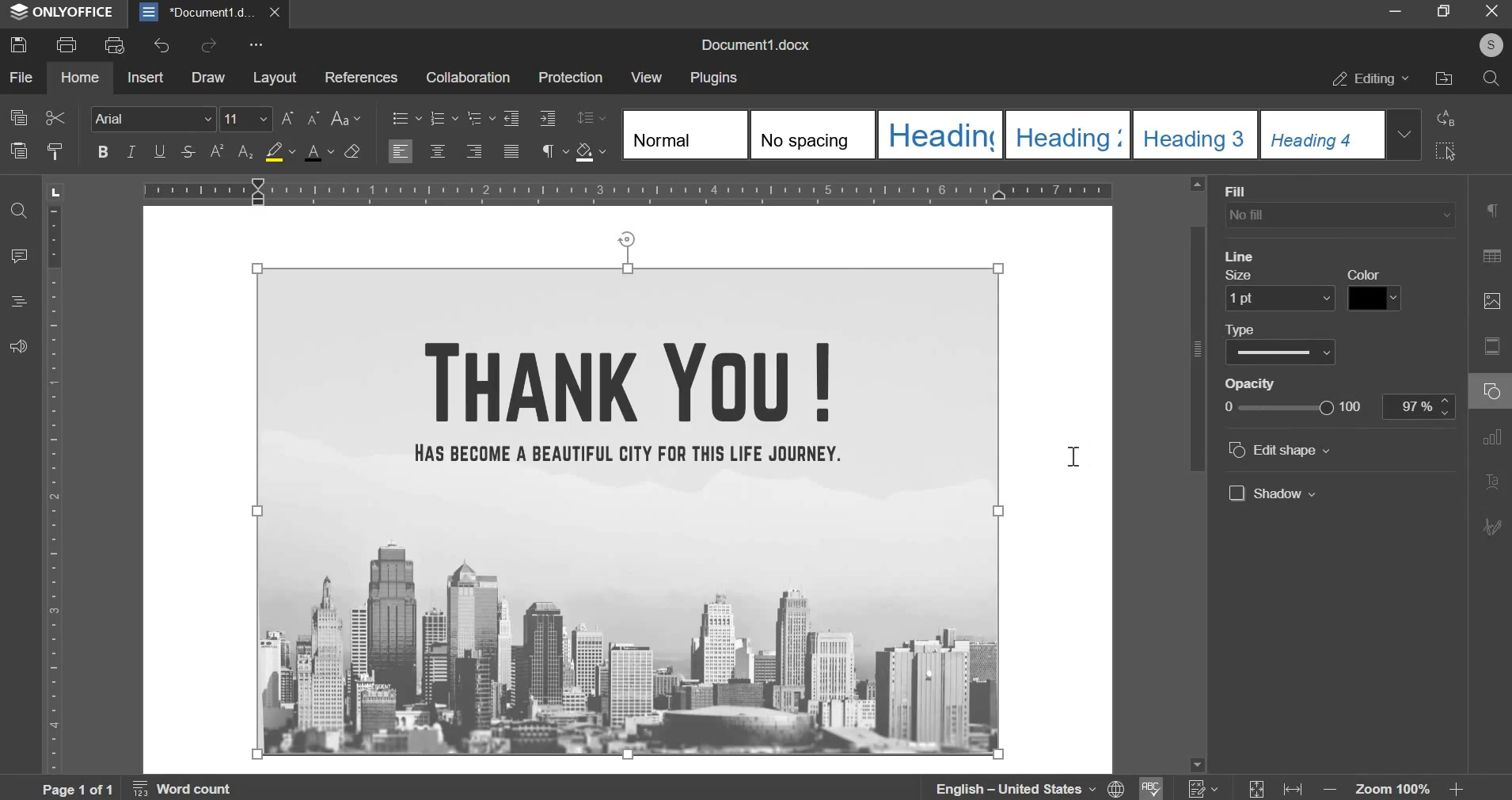  What do you see at coordinates (1320, 135) in the screenshot?
I see `Heading 4` at bounding box center [1320, 135].